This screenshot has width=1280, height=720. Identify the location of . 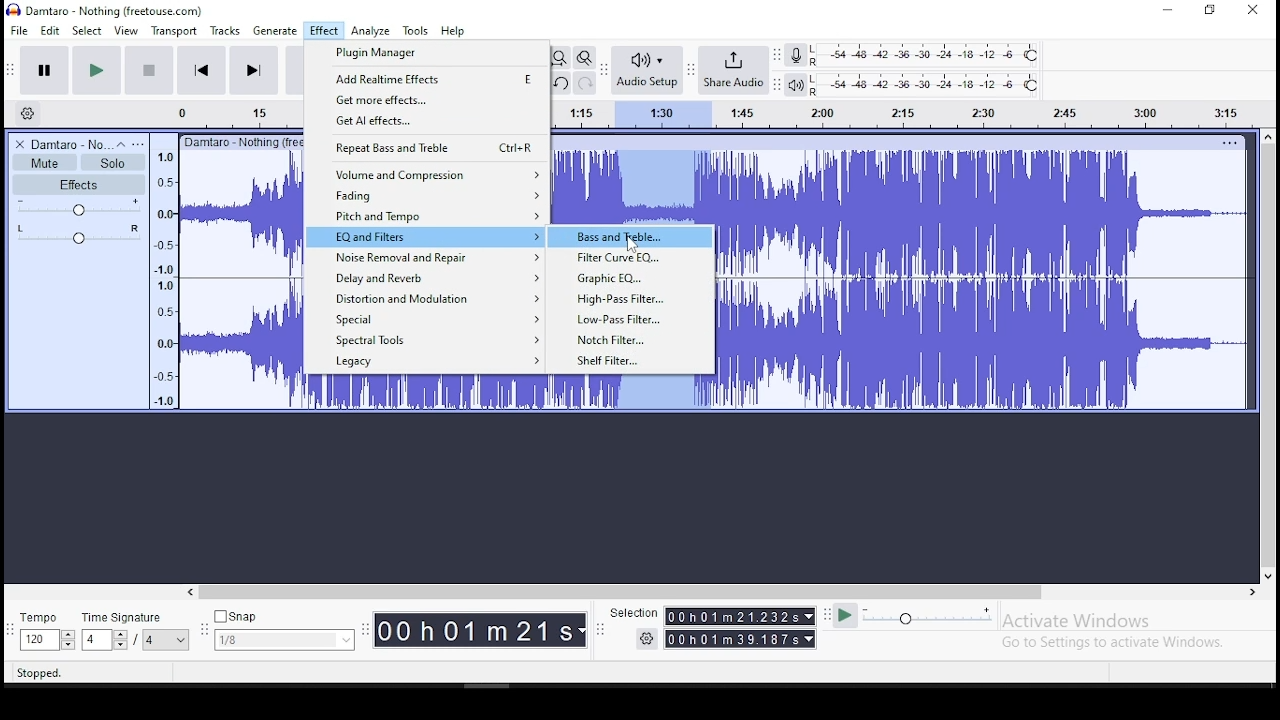
(241, 141).